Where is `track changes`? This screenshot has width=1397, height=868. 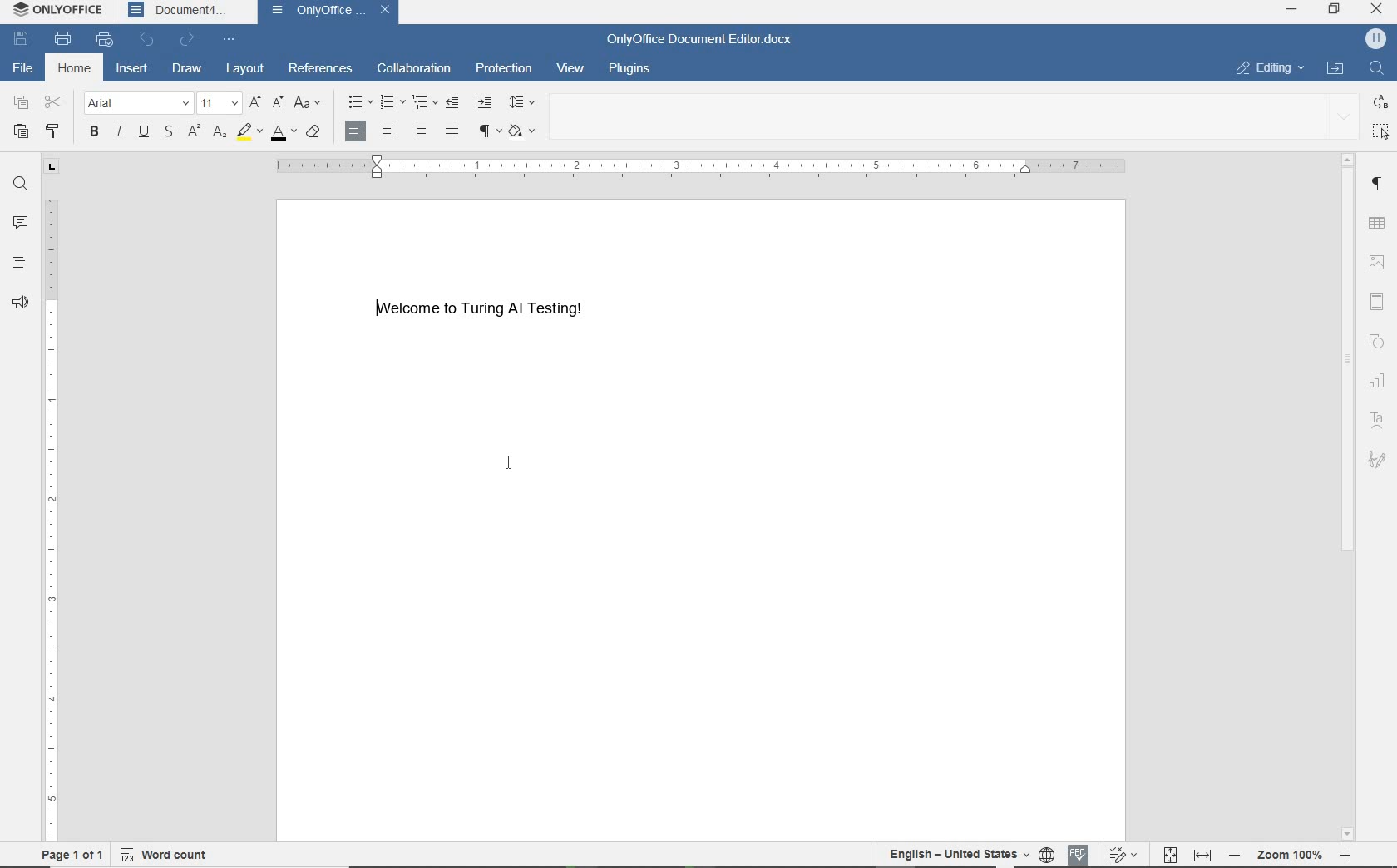 track changes is located at coordinates (1124, 854).